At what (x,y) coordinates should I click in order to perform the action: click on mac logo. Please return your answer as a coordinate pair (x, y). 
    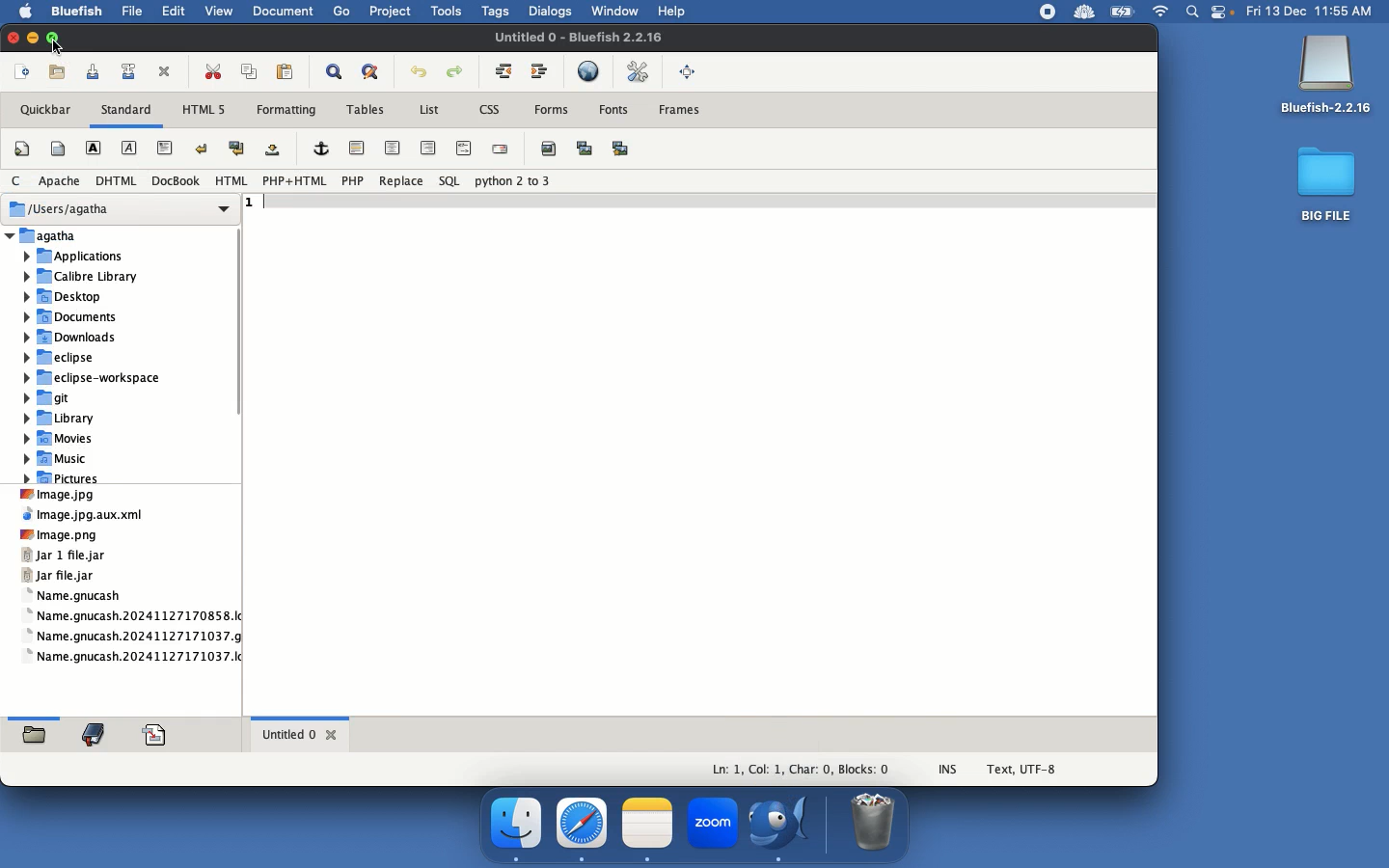
    Looking at the image, I should click on (25, 10).